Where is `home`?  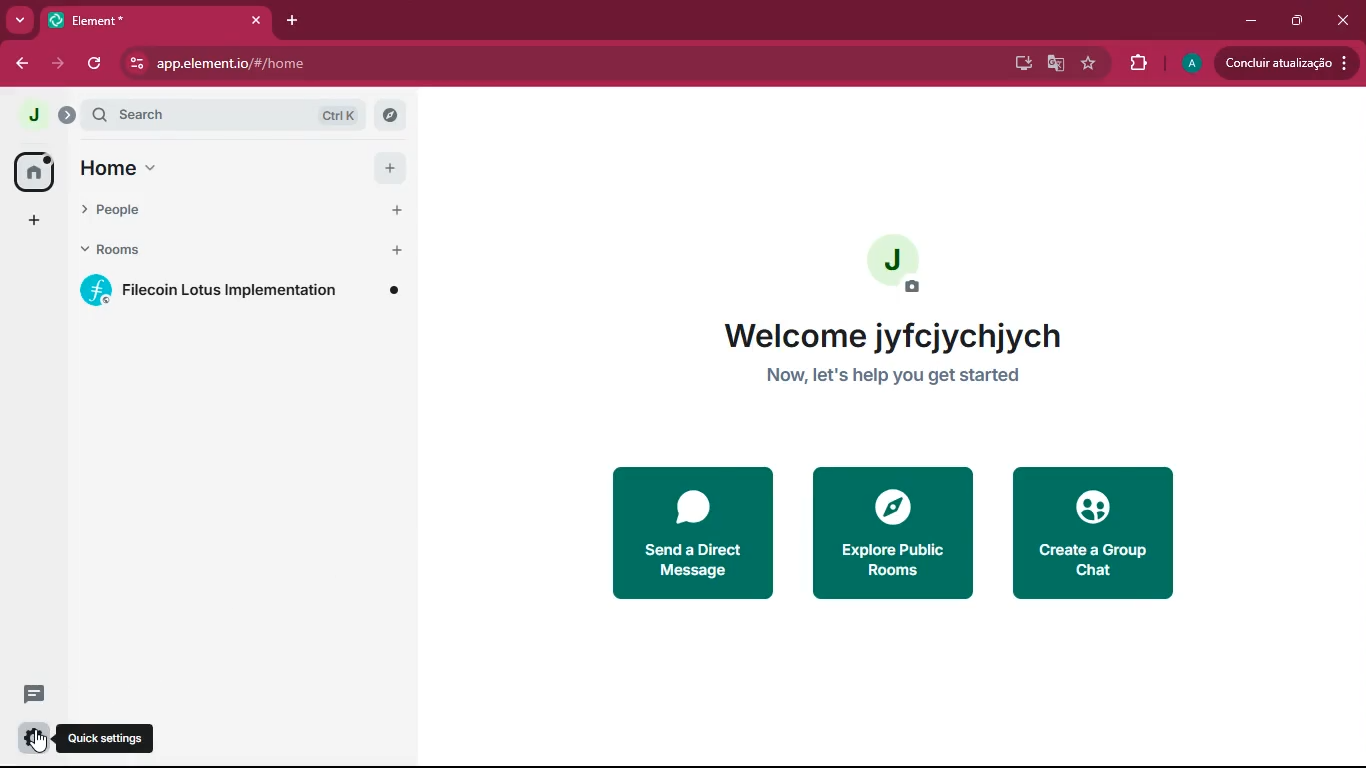 home is located at coordinates (113, 166).